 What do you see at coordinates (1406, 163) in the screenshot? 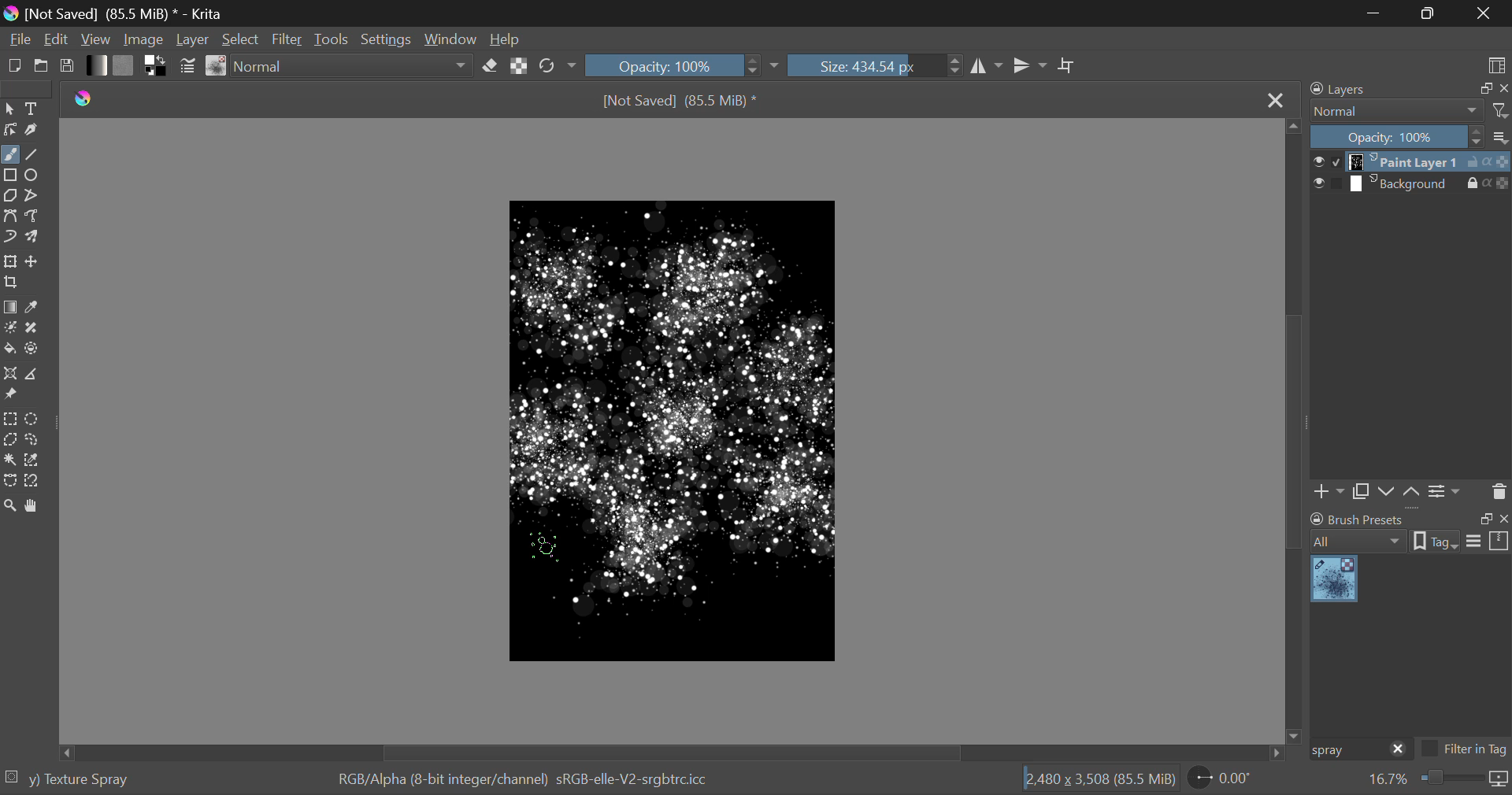
I see `layer 1` at bounding box center [1406, 163].